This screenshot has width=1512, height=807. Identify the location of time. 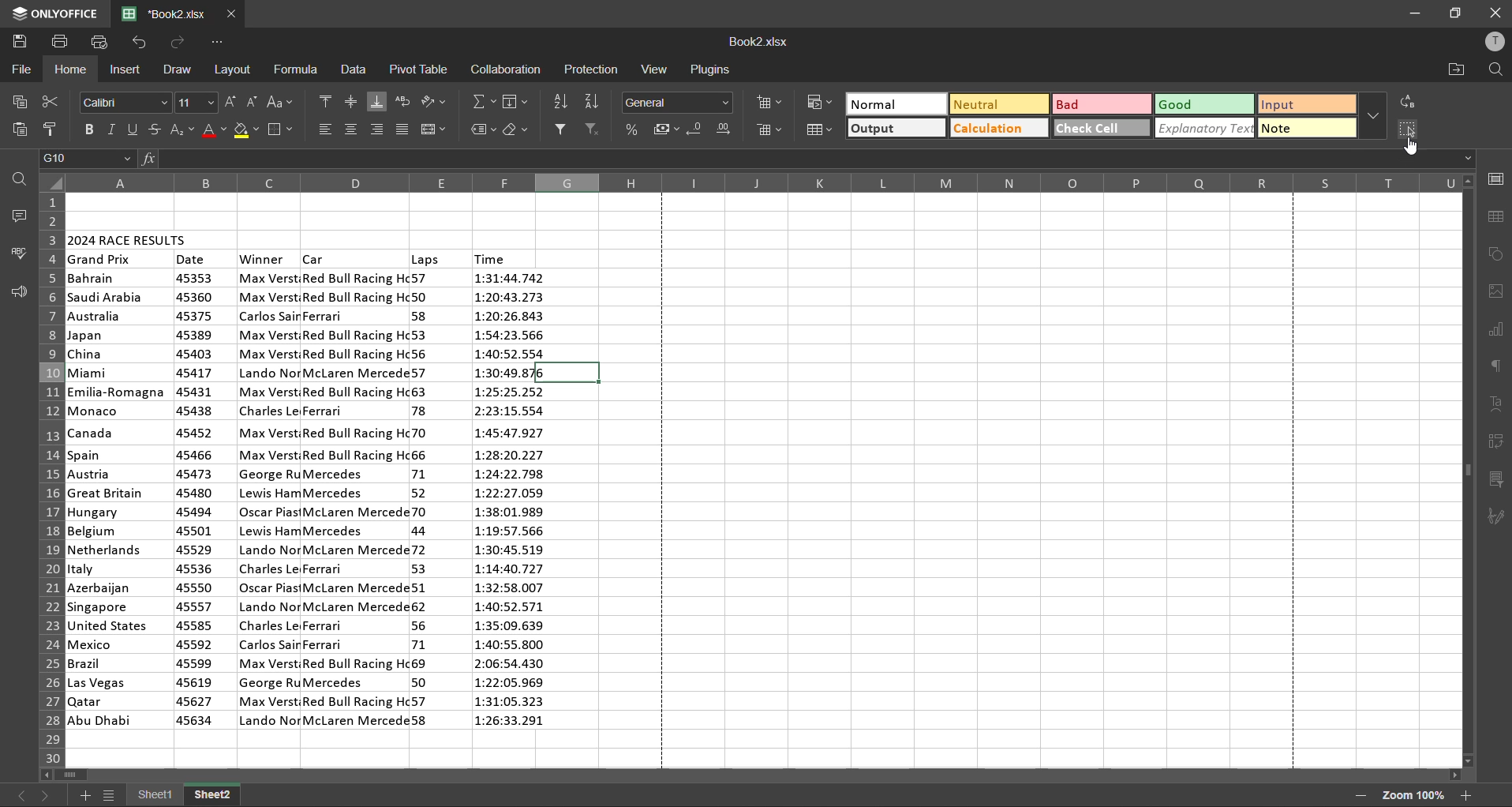
(494, 259).